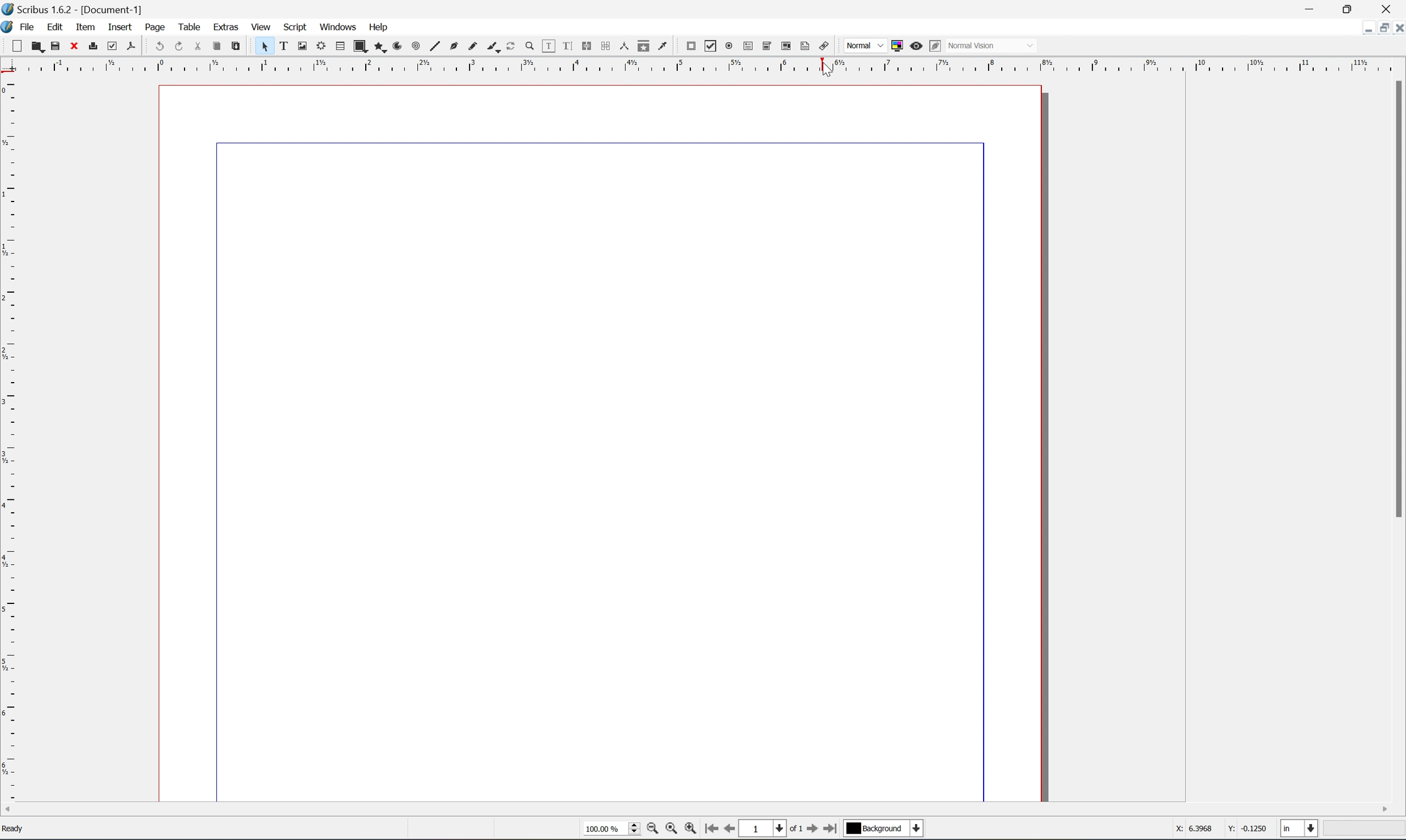 The width and height of the screenshot is (1406, 840). Describe the element at coordinates (607, 46) in the screenshot. I see `unlink text frames` at that location.